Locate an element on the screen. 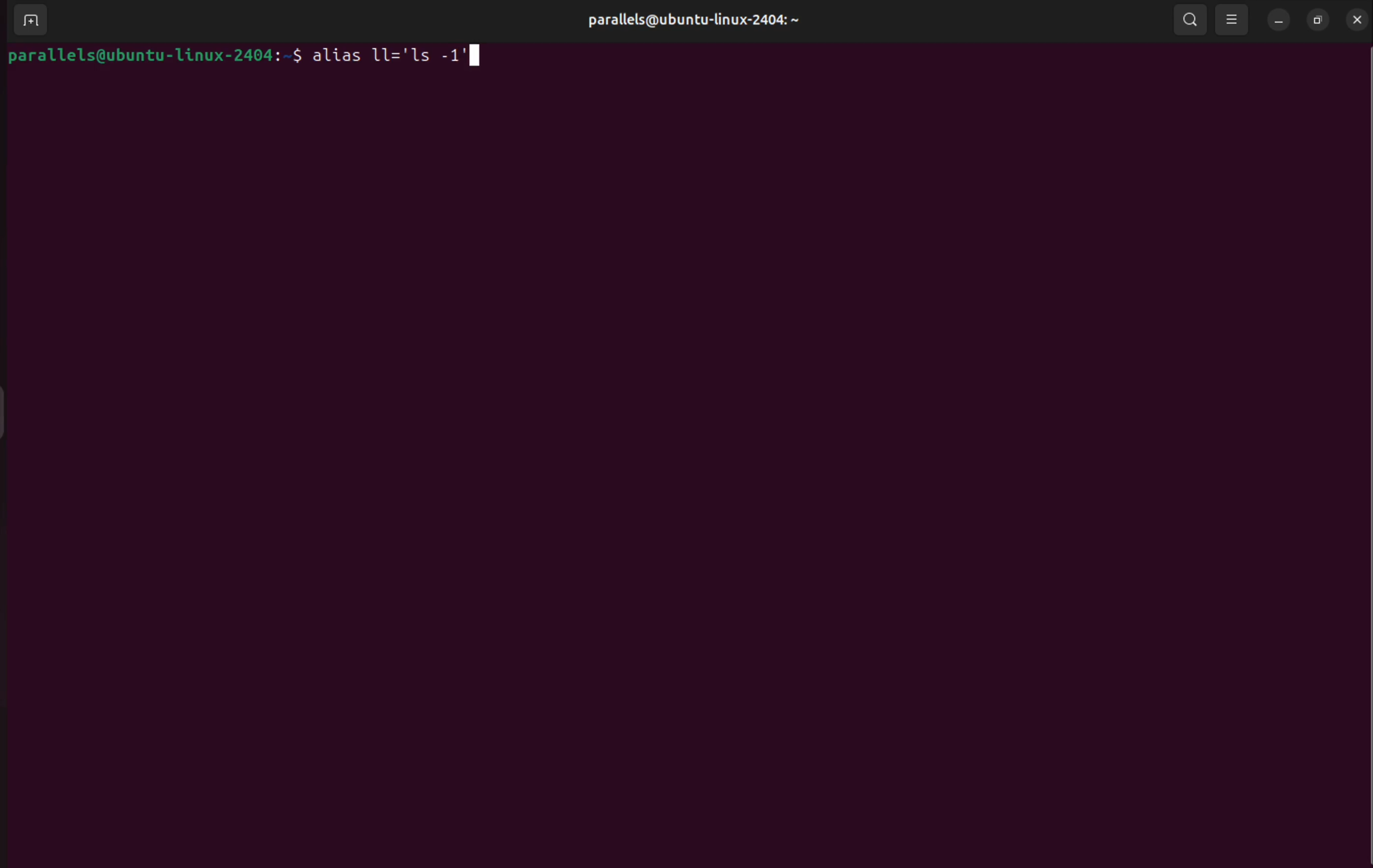 Image resolution: width=1373 pixels, height=868 pixels. bash prompt is located at coordinates (155, 56).